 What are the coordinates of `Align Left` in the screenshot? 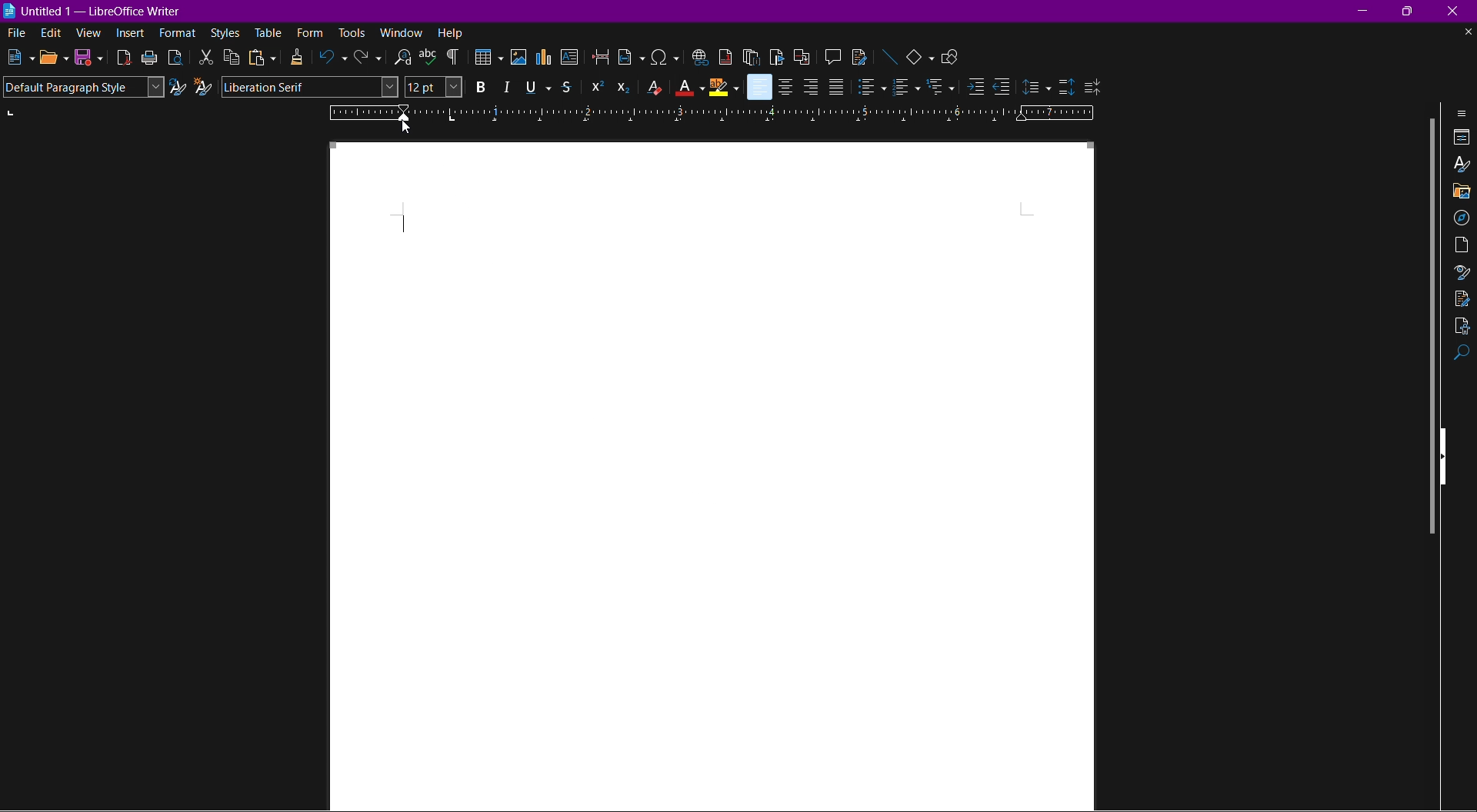 It's located at (759, 87).